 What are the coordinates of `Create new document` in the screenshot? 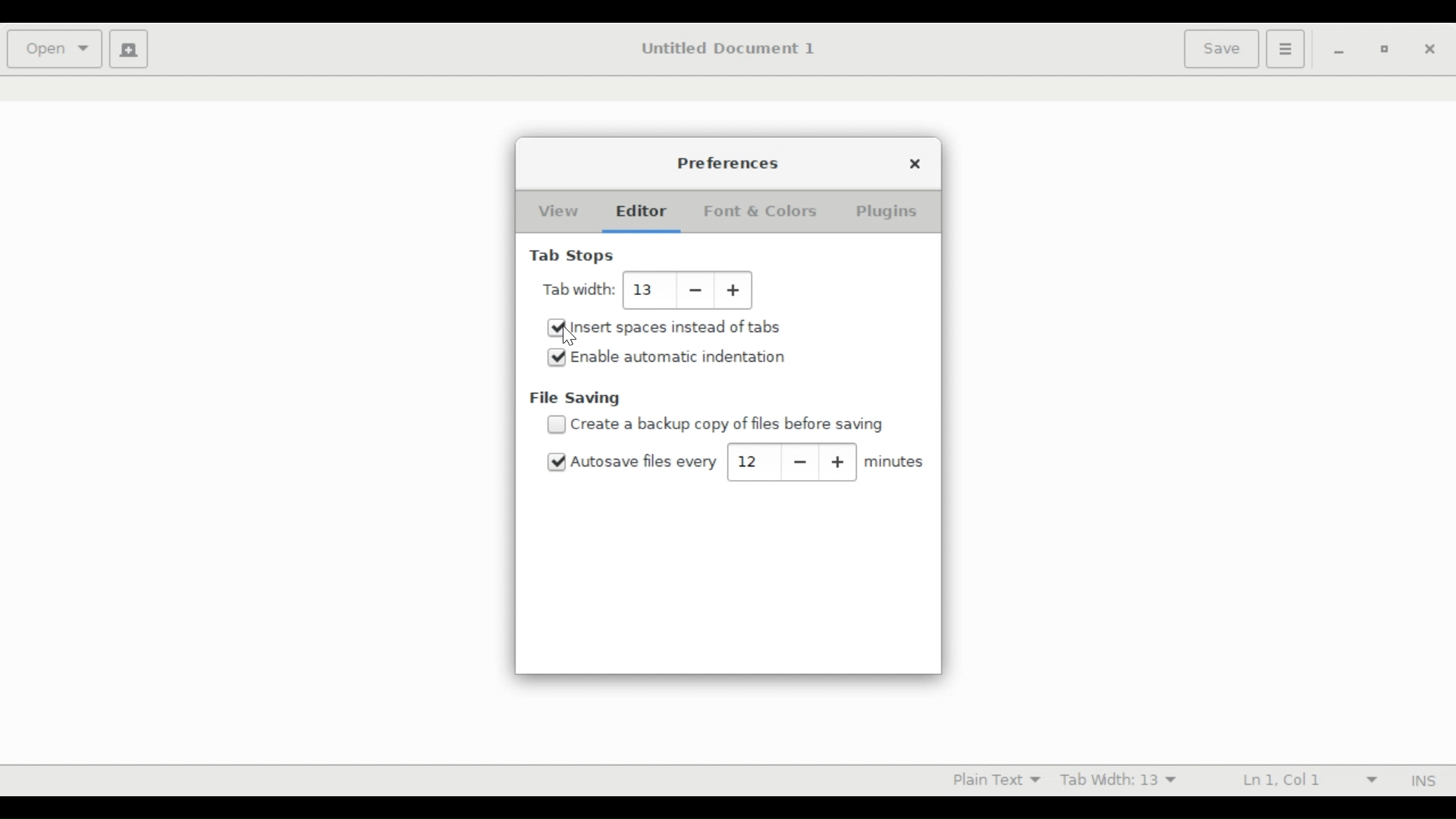 It's located at (129, 49).